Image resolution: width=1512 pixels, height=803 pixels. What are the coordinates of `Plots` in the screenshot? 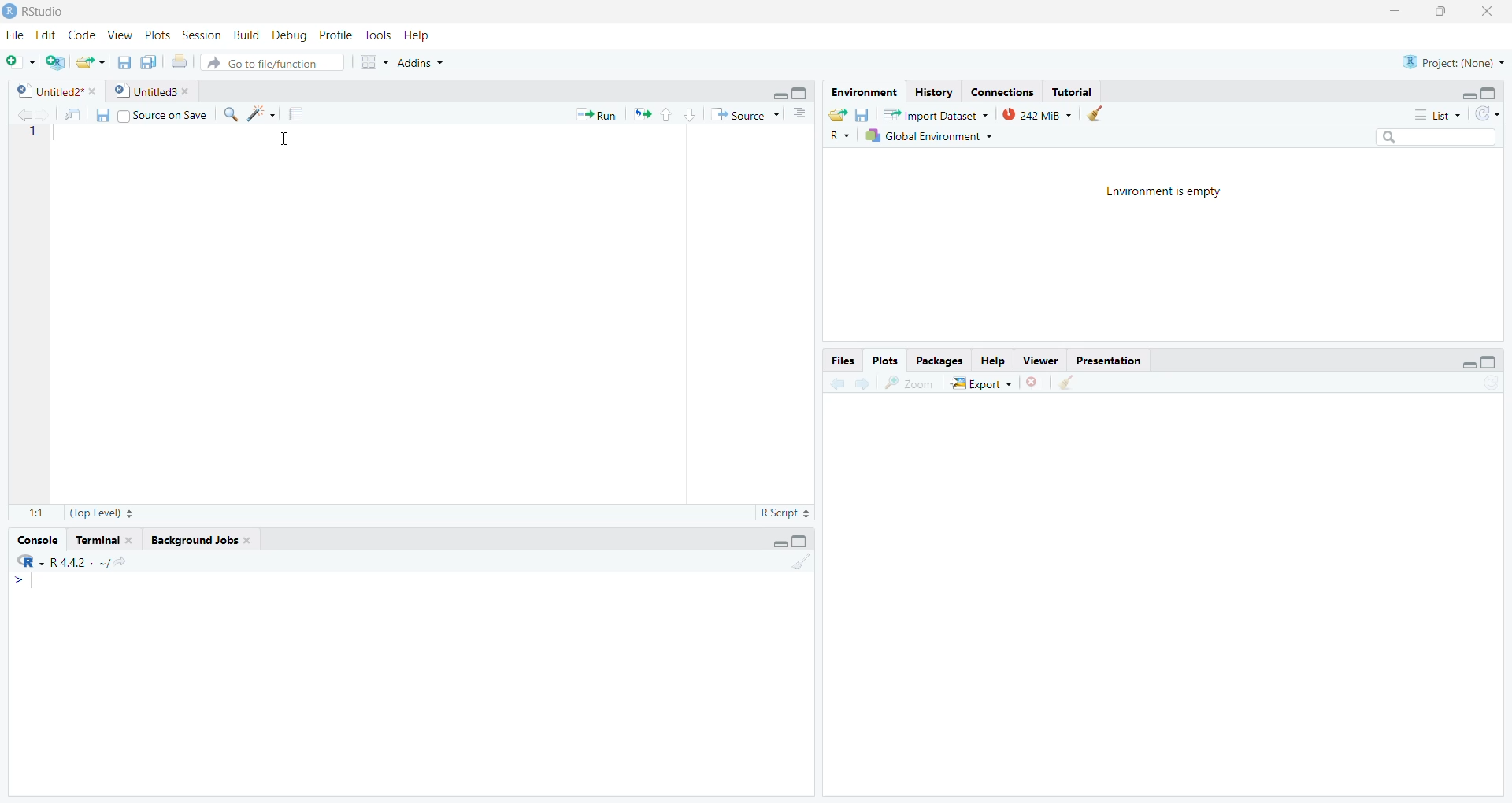 It's located at (159, 35).